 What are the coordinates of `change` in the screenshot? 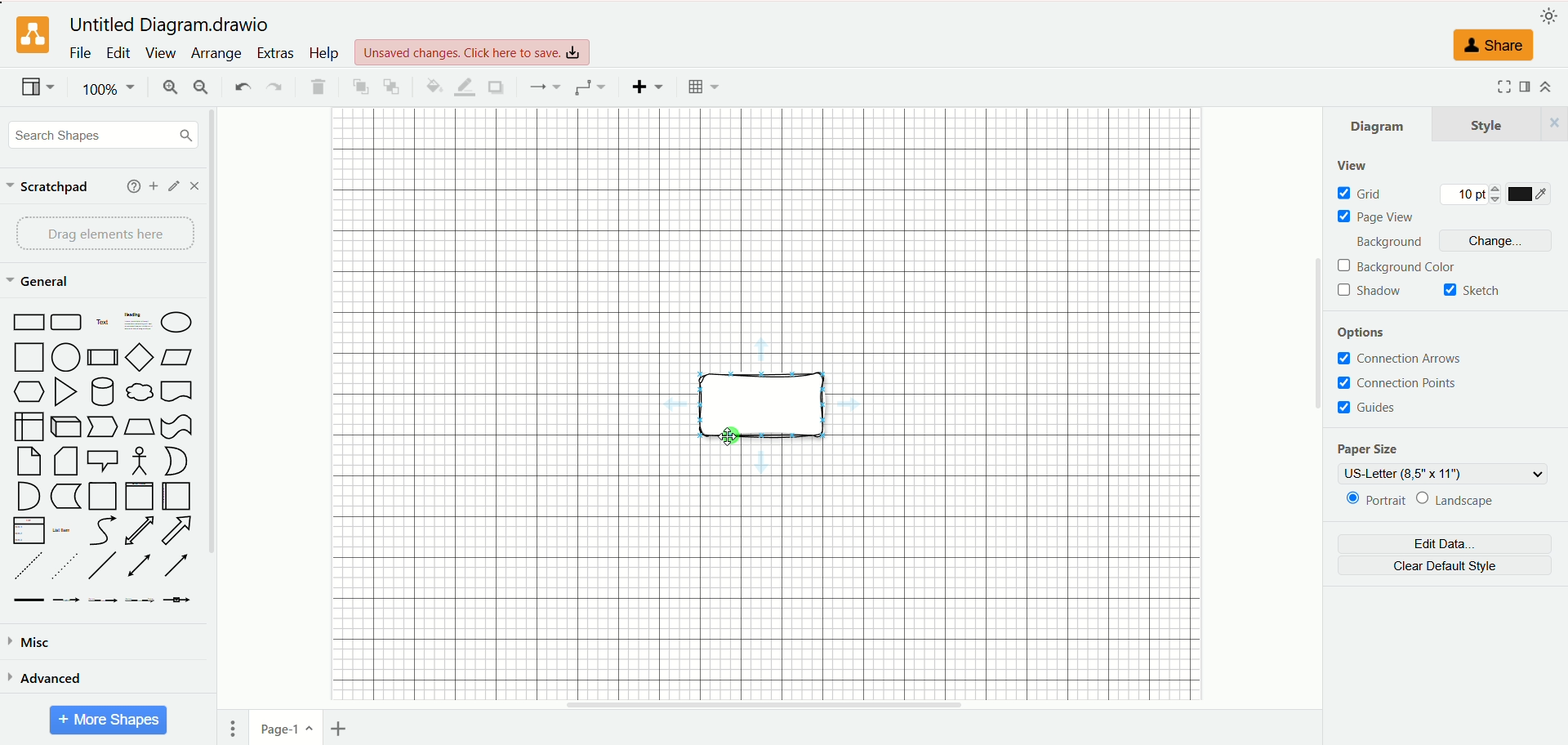 It's located at (1500, 240).